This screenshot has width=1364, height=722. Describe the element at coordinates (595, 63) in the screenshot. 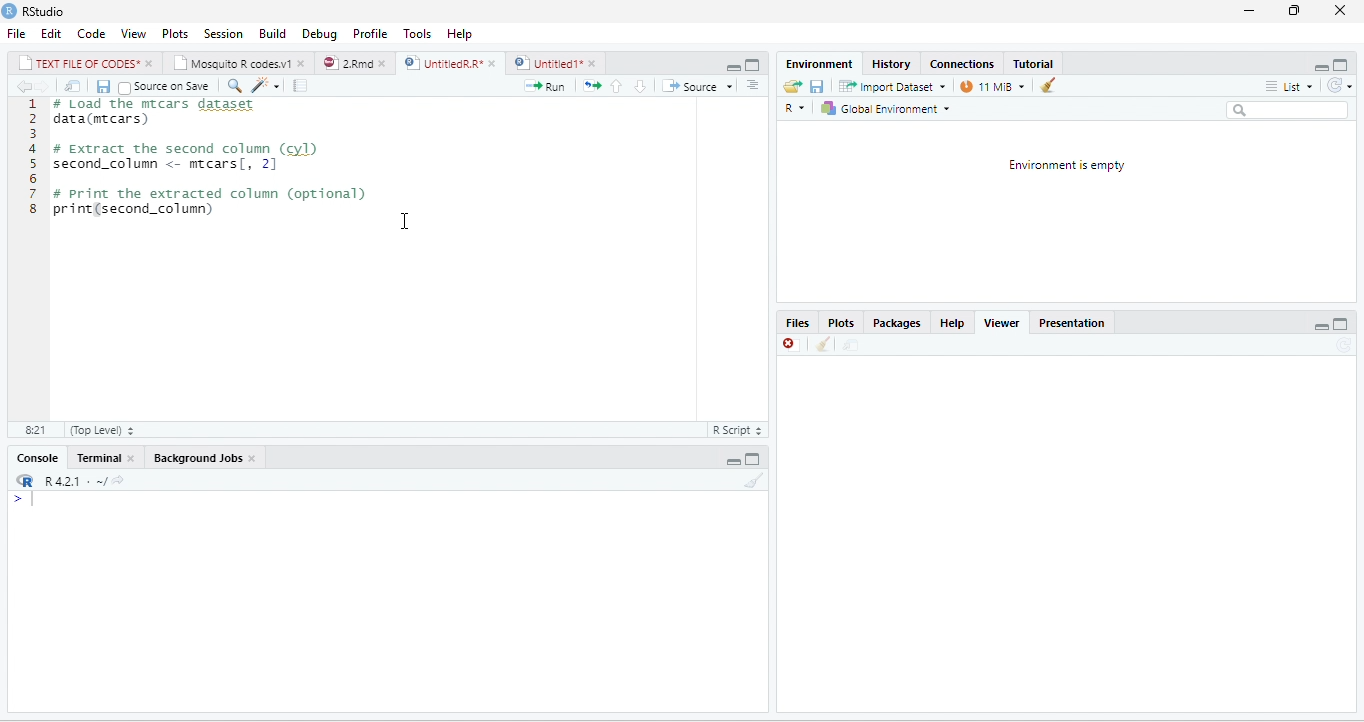

I see `close` at that location.